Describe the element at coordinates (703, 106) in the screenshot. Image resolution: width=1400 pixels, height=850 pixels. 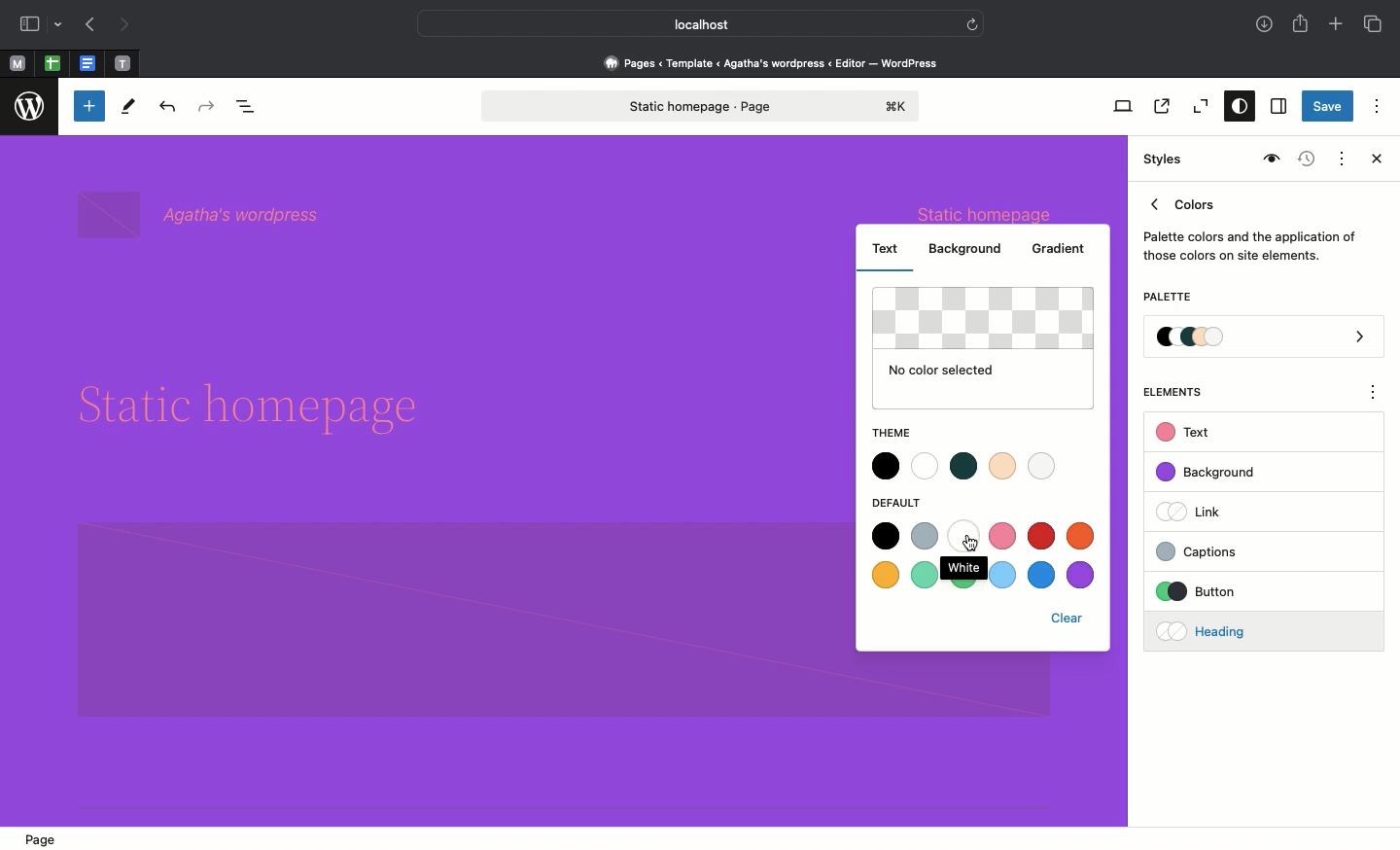
I see `Static homepage` at that location.